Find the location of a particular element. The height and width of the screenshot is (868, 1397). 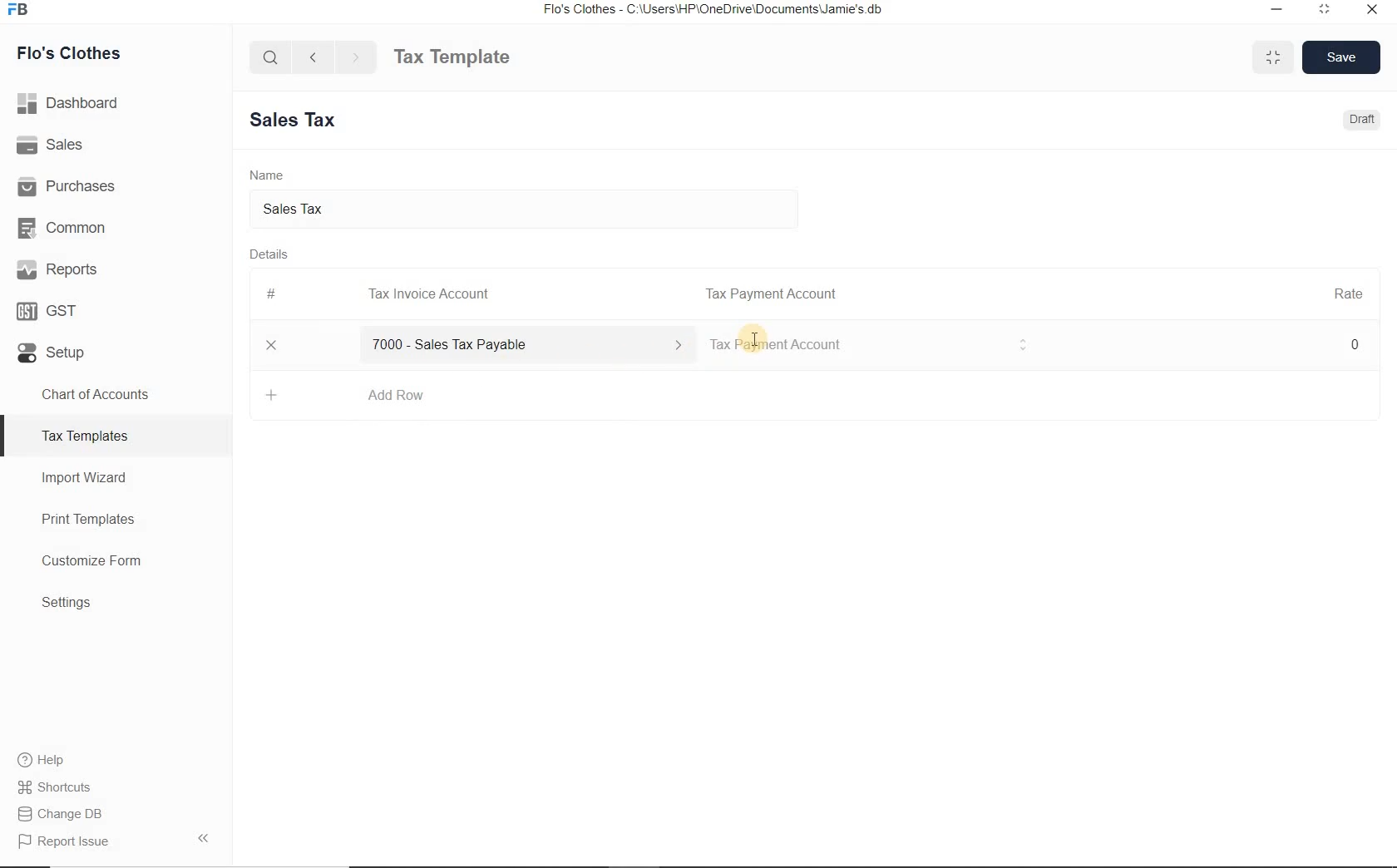

Print Templates is located at coordinates (116, 519).